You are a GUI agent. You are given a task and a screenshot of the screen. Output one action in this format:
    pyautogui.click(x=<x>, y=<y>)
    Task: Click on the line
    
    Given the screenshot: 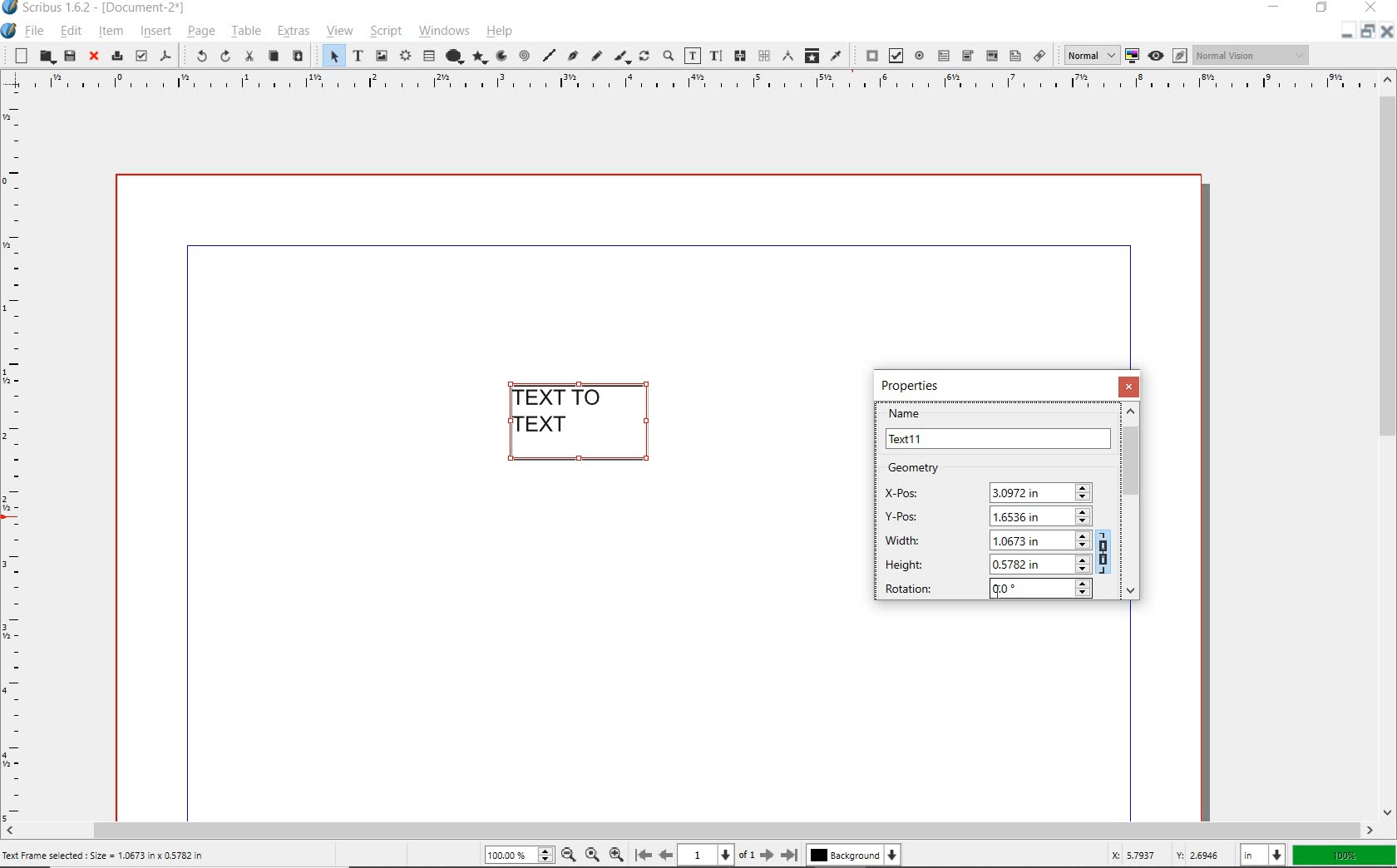 What is the action you would take?
    pyautogui.click(x=548, y=57)
    